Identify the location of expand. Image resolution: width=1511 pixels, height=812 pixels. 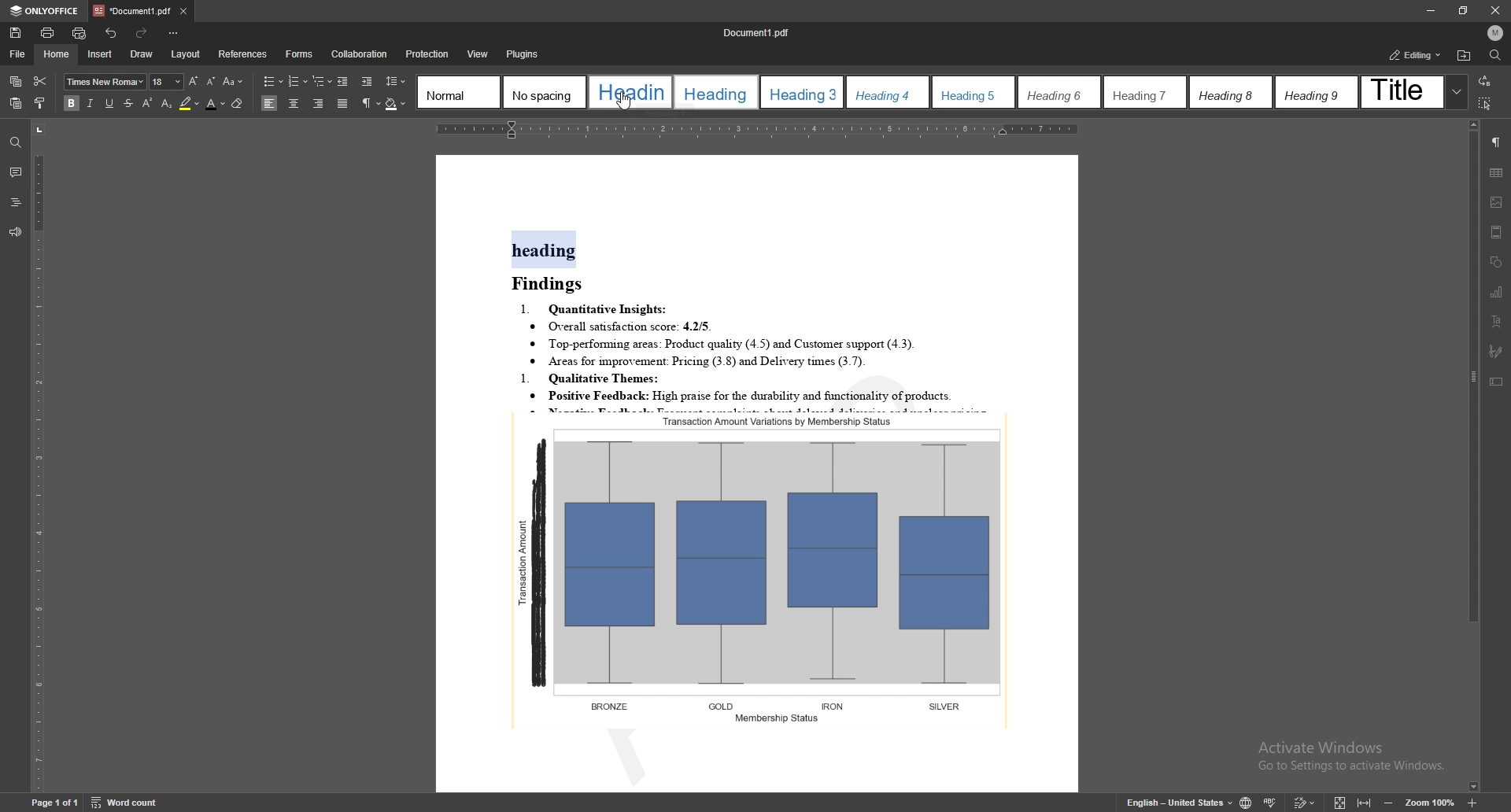
(1456, 91).